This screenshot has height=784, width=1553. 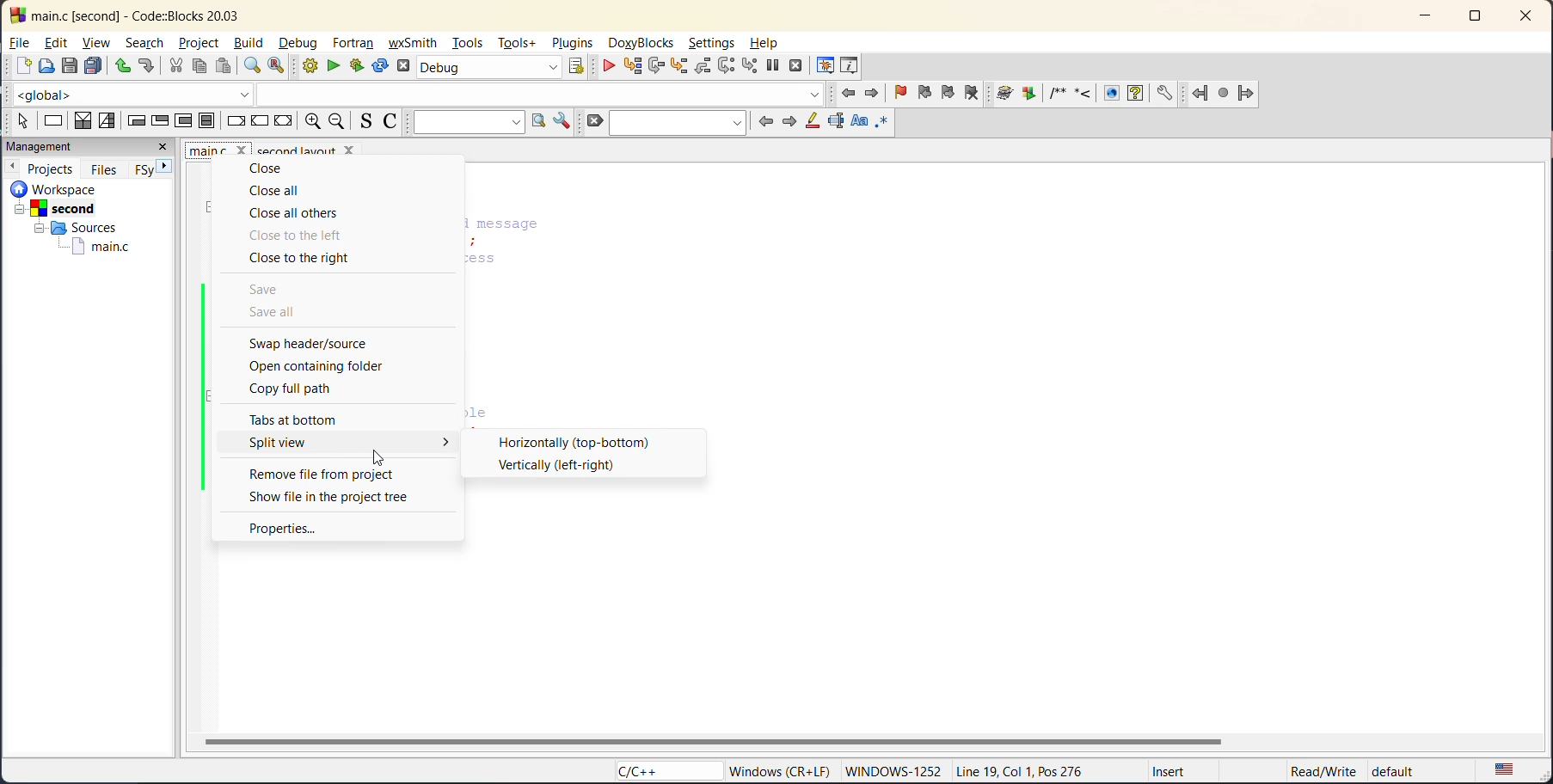 What do you see at coordinates (353, 43) in the screenshot?
I see `fortran` at bounding box center [353, 43].